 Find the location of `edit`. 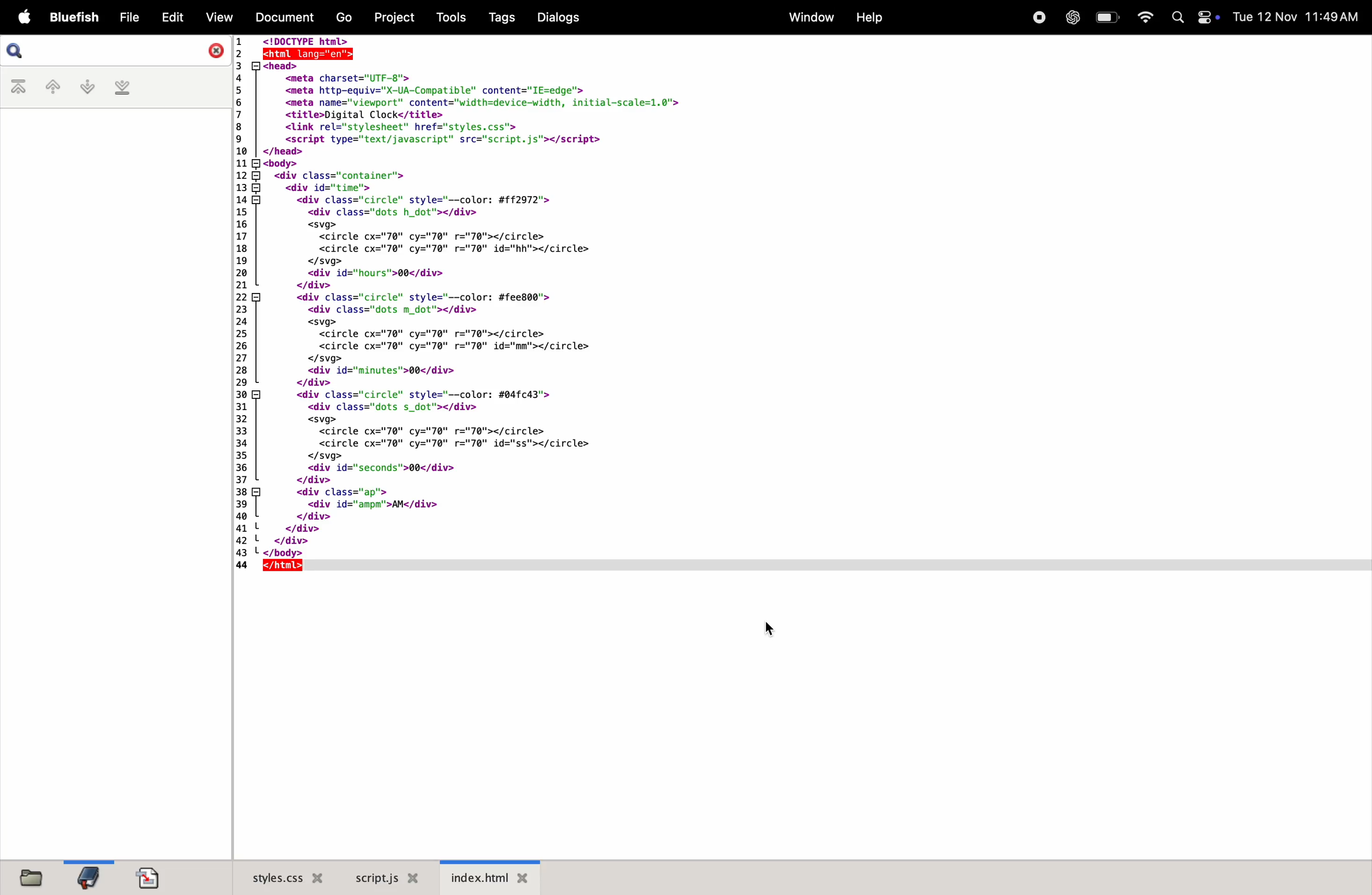

edit is located at coordinates (170, 17).